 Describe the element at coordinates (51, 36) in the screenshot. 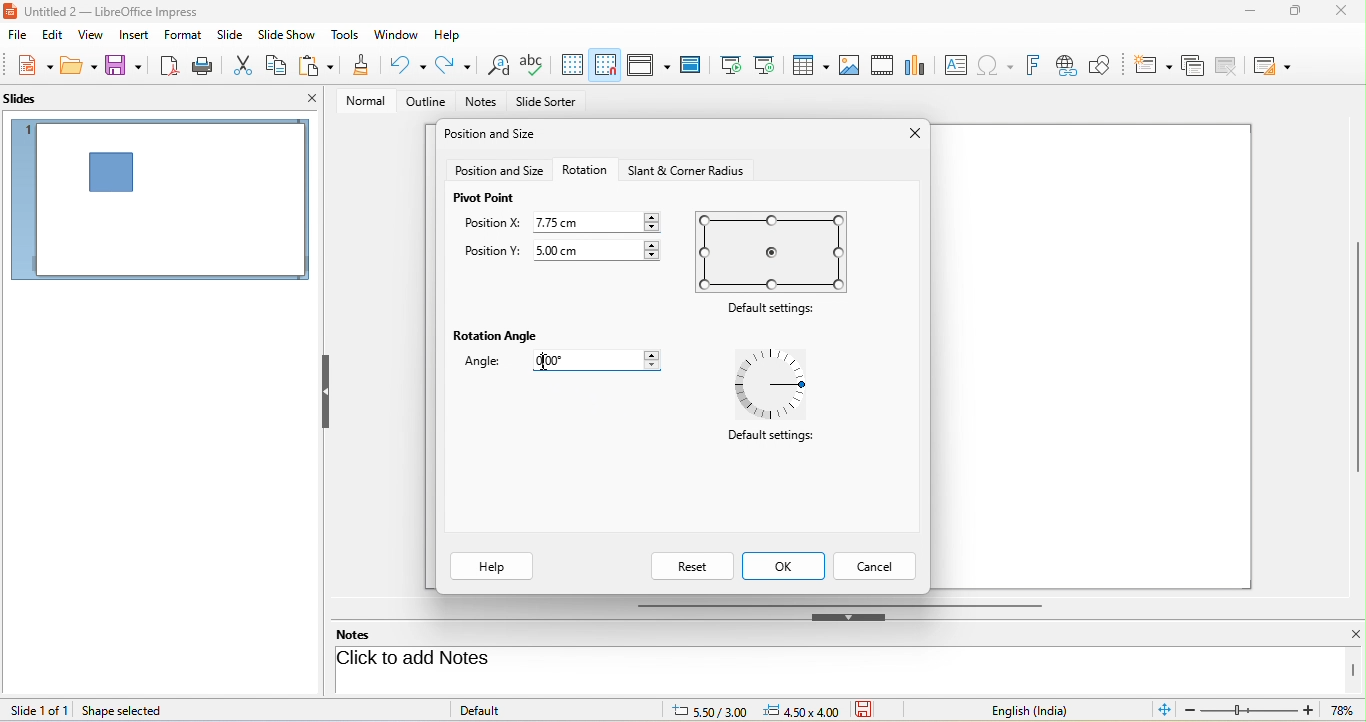

I see `edit` at that location.